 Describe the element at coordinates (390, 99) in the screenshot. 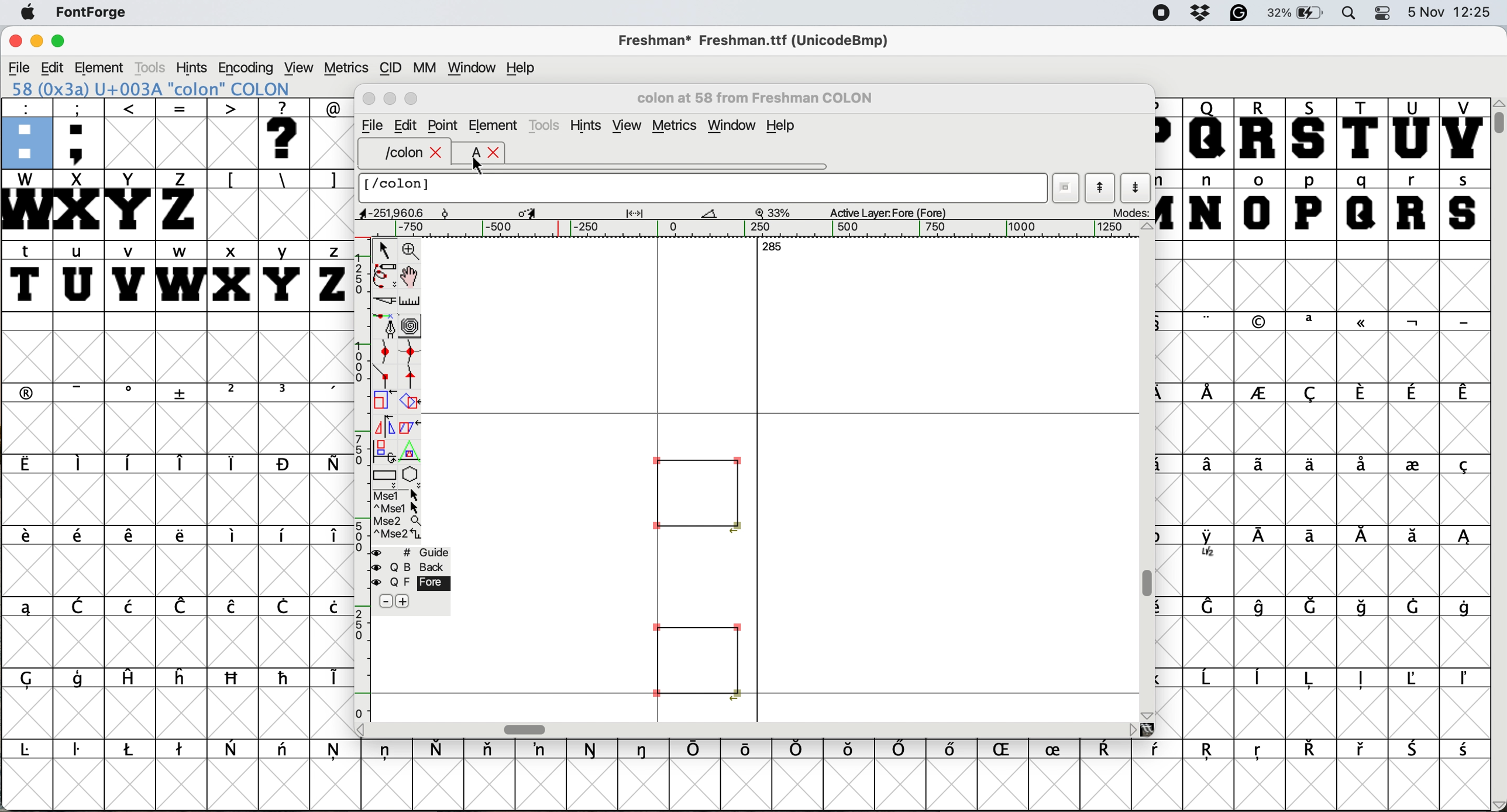

I see `minimise` at that location.